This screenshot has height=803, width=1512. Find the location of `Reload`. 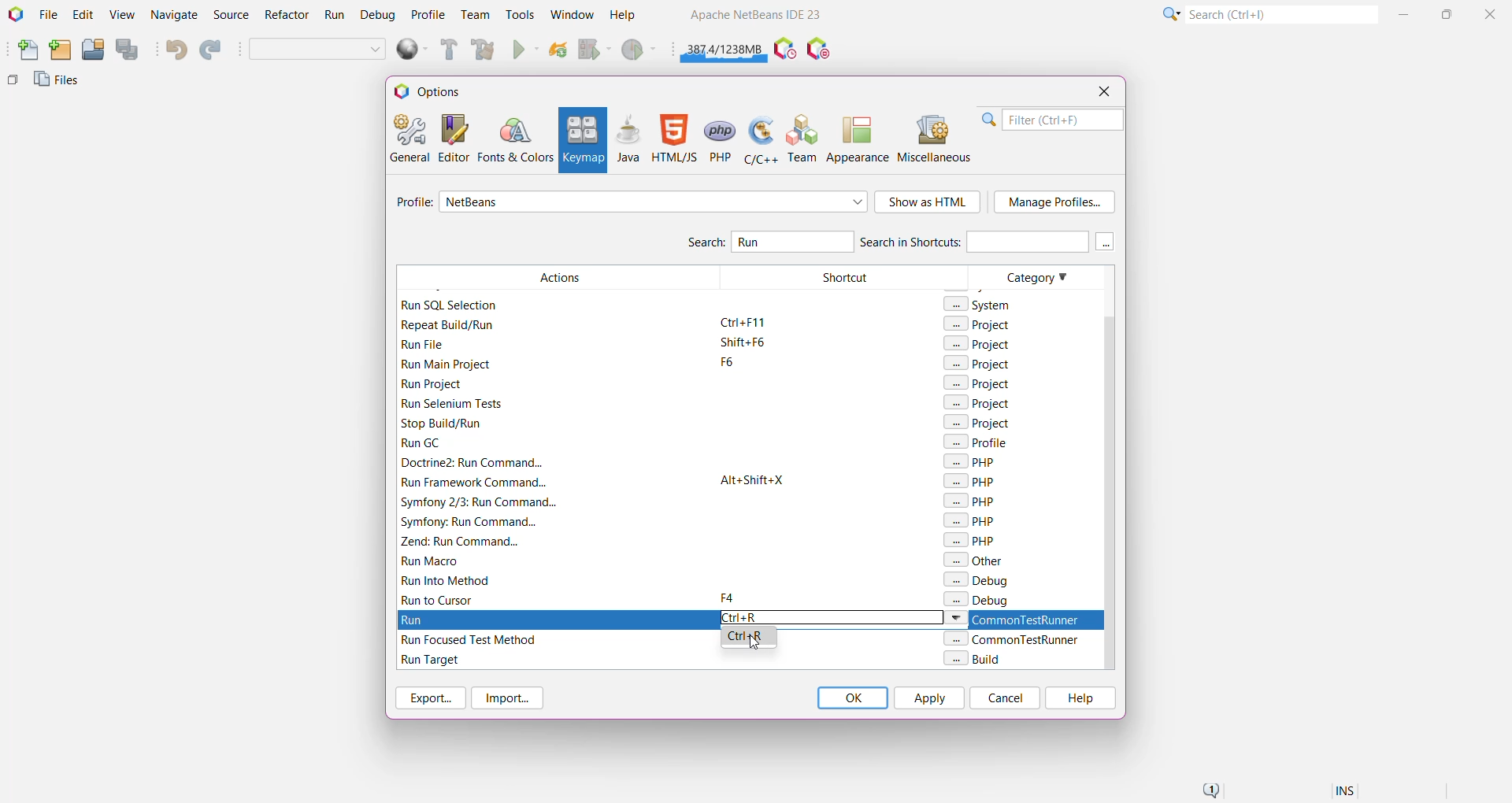

Reload is located at coordinates (558, 51).